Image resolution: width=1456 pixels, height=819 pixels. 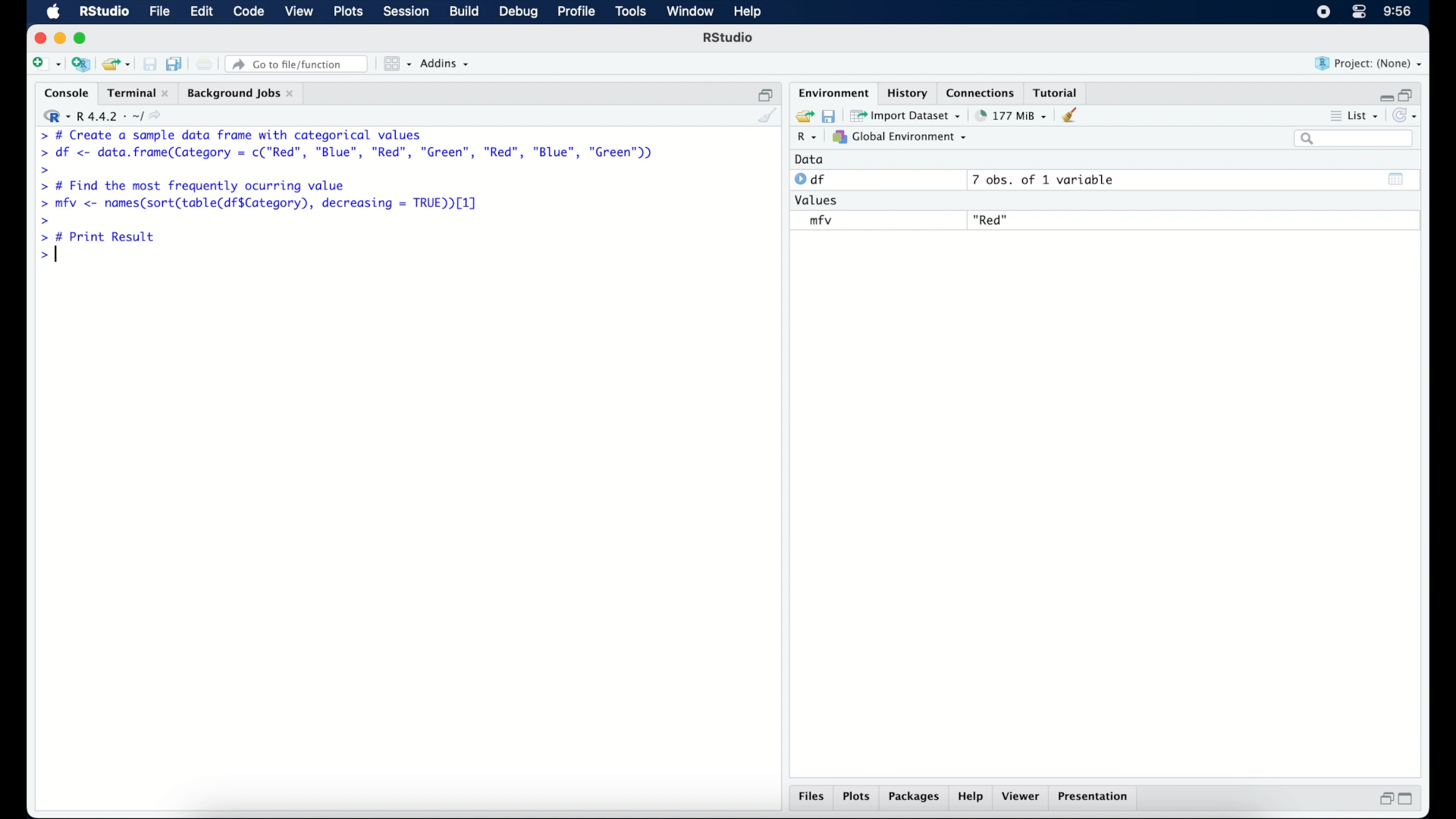 I want to click on new file, so click(x=45, y=63).